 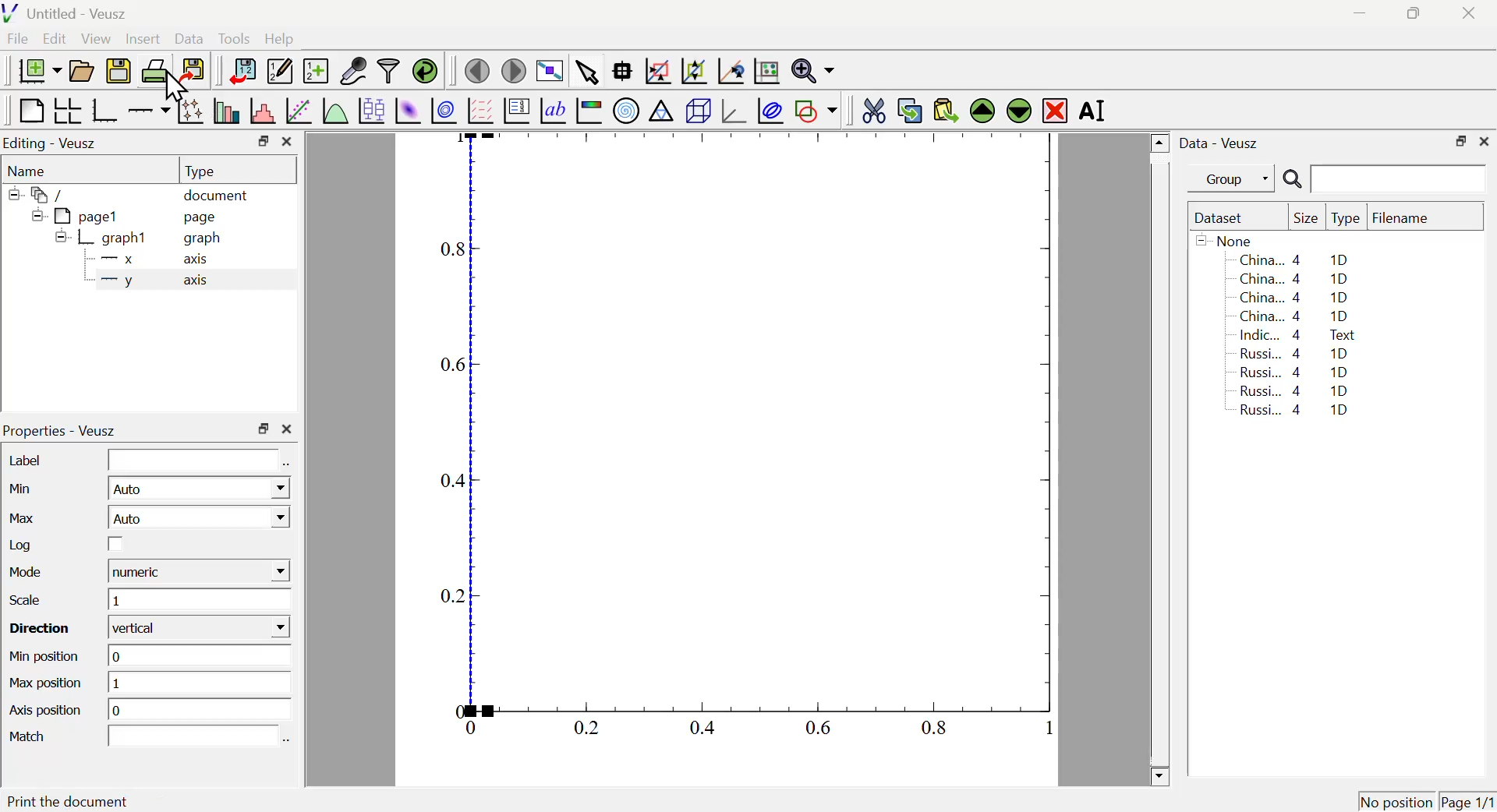 What do you see at coordinates (28, 171) in the screenshot?
I see `Name` at bounding box center [28, 171].